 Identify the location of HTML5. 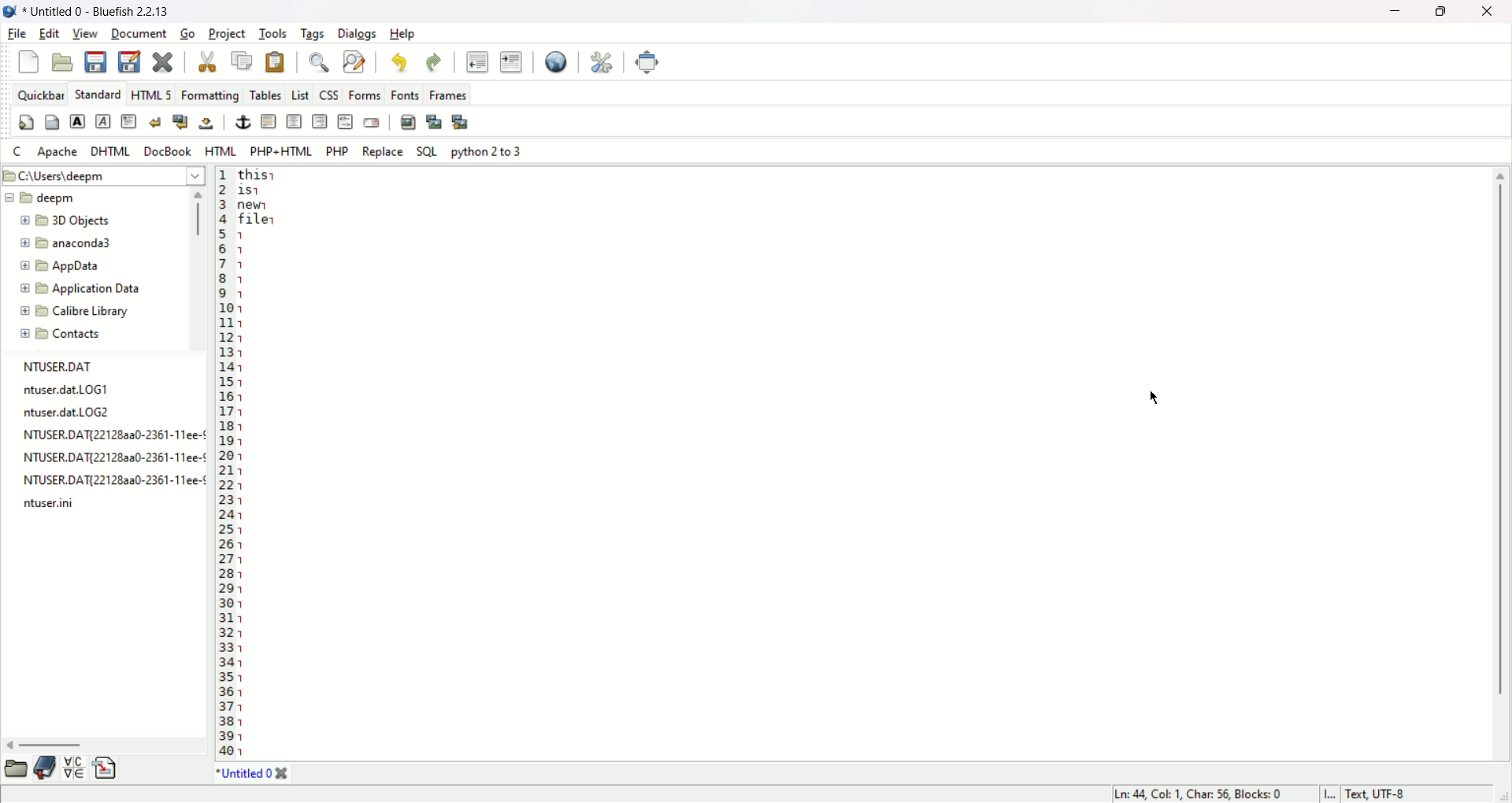
(150, 95).